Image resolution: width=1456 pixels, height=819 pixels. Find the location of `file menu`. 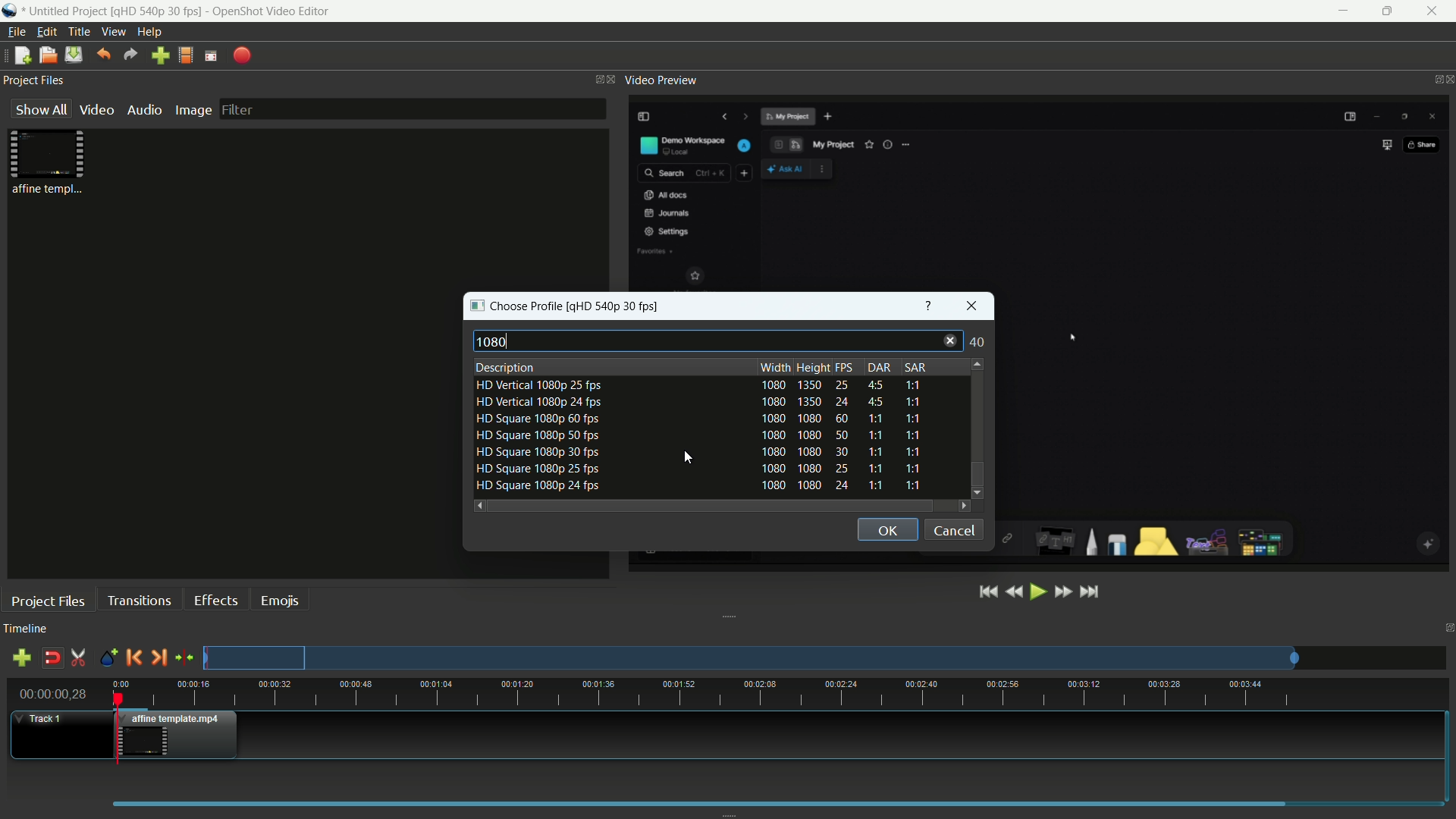

file menu is located at coordinates (16, 32).